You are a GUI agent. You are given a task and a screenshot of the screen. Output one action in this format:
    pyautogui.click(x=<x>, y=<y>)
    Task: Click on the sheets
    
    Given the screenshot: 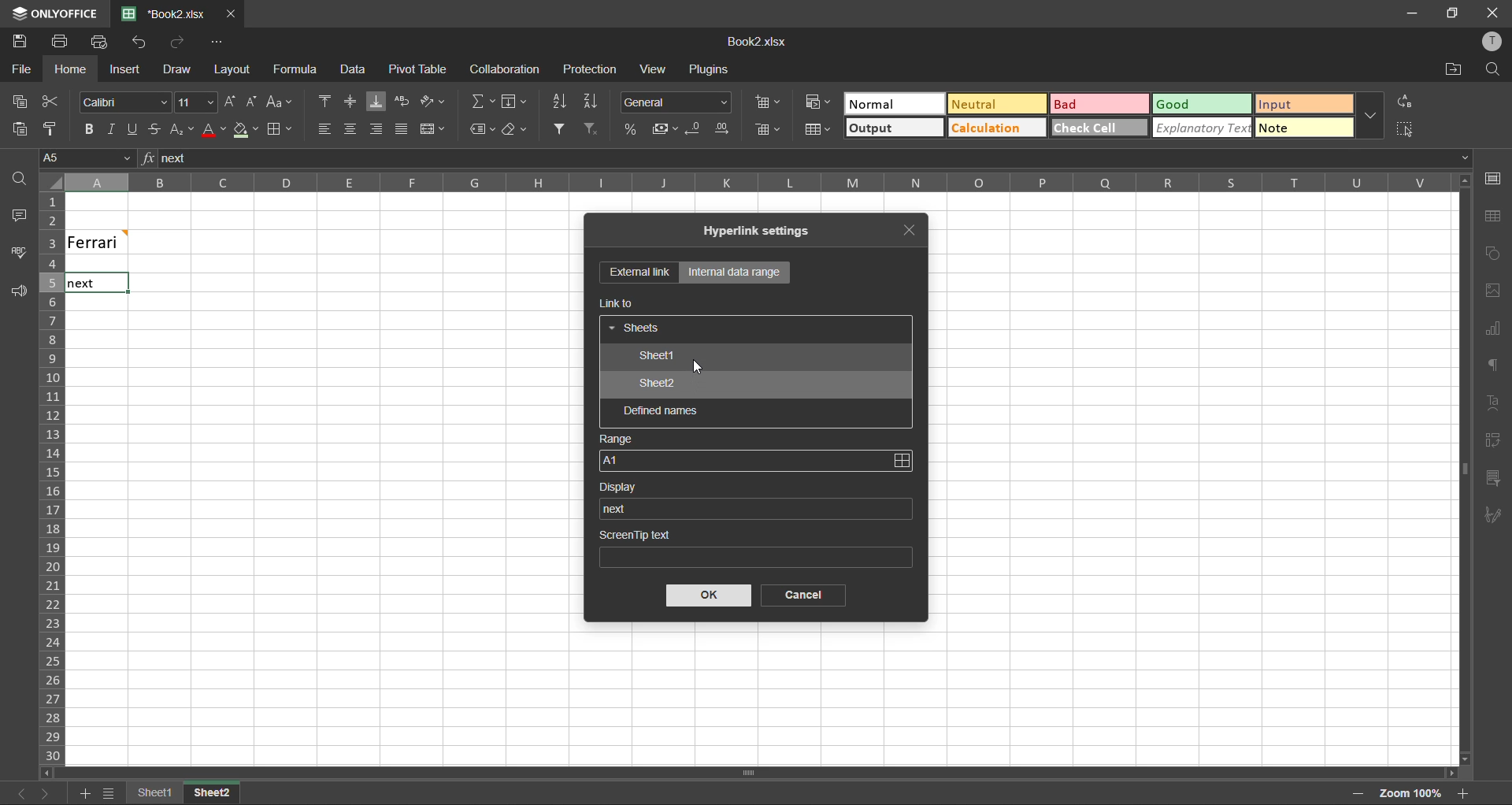 What is the action you would take?
    pyautogui.click(x=636, y=329)
    